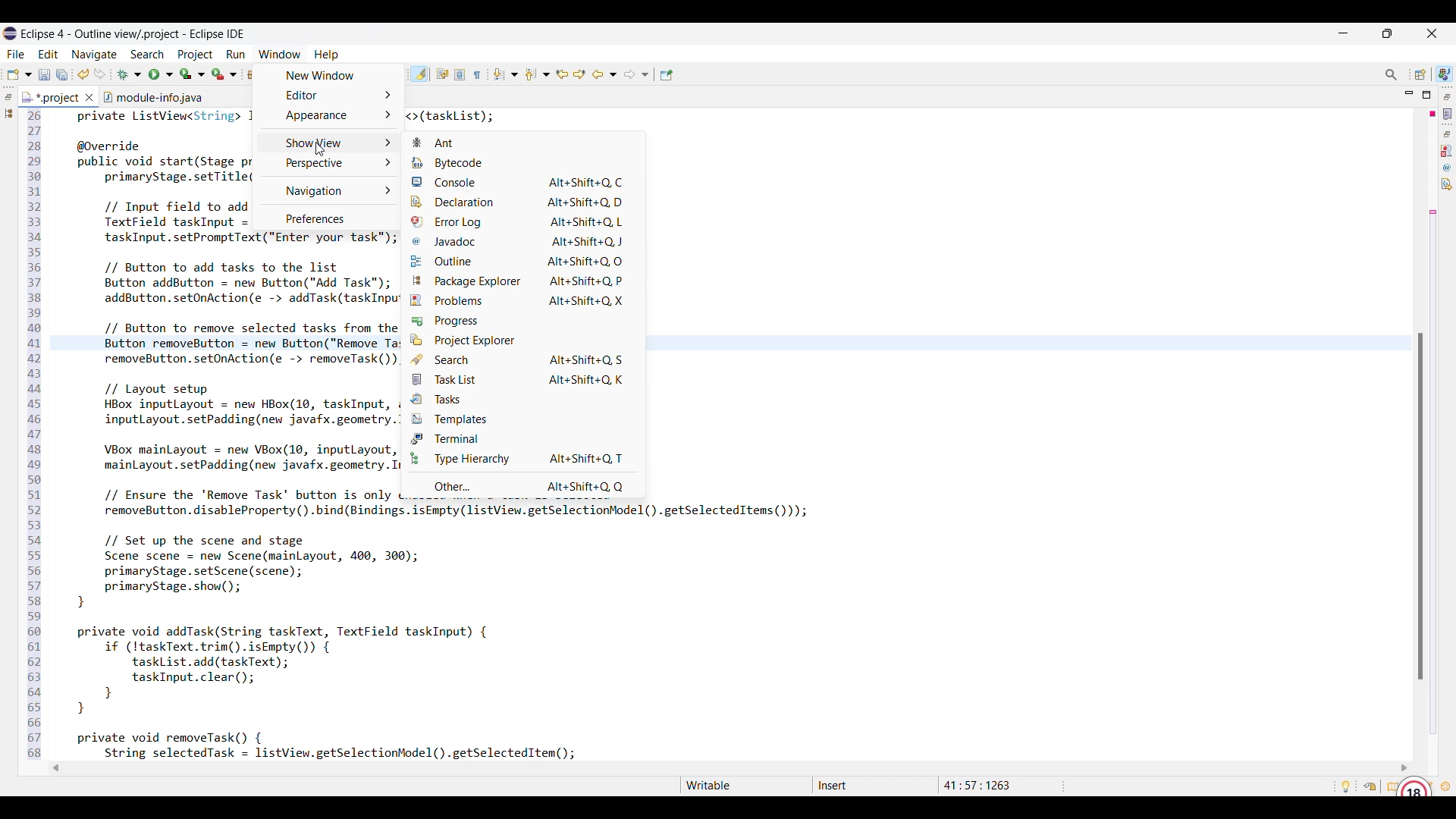 The image size is (1456, 819). What do you see at coordinates (522, 143) in the screenshot?
I see `Ant` at bounding box center [522, 143].